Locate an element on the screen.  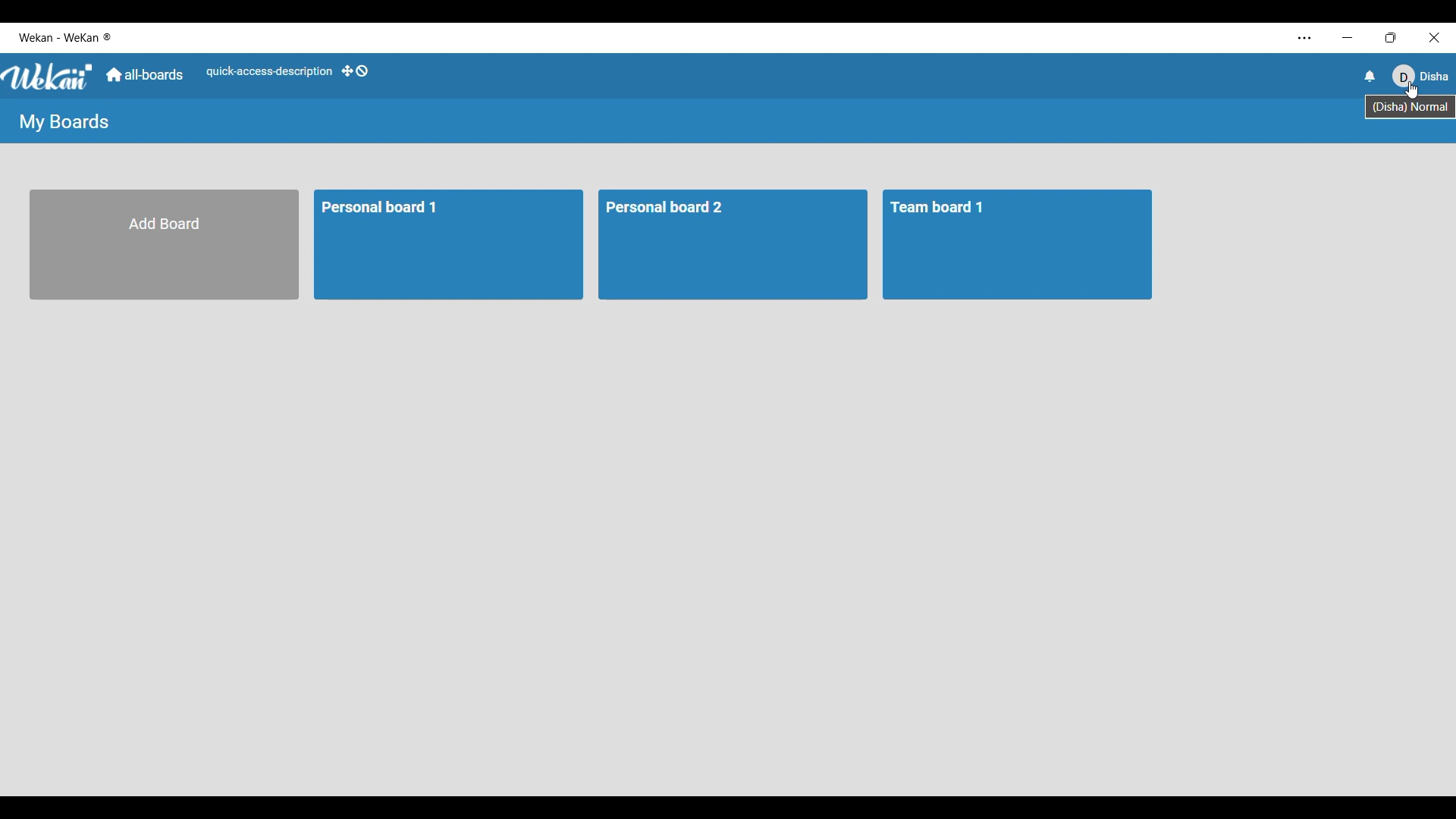
My Boards is located at coordinates (64, 122).